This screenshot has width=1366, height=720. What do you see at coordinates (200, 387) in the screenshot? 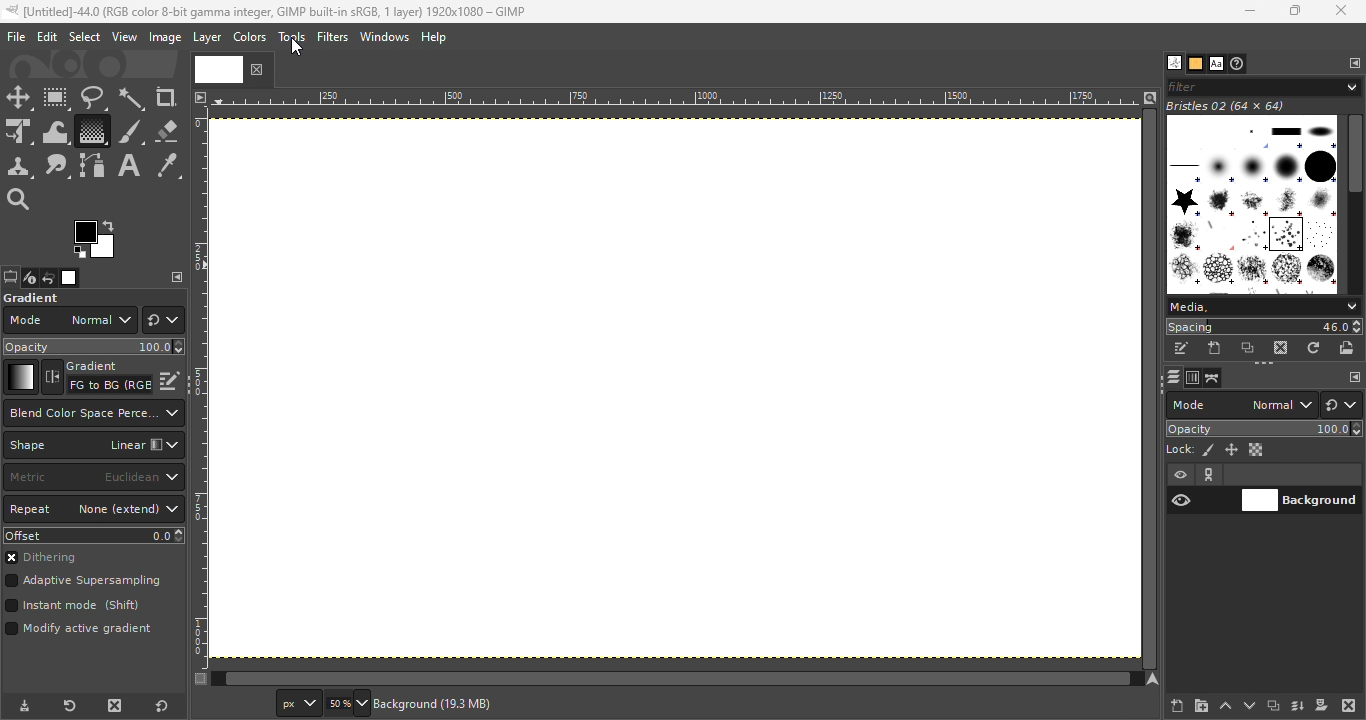
I see `Vertical ruler` at bounding box center [200, 387].